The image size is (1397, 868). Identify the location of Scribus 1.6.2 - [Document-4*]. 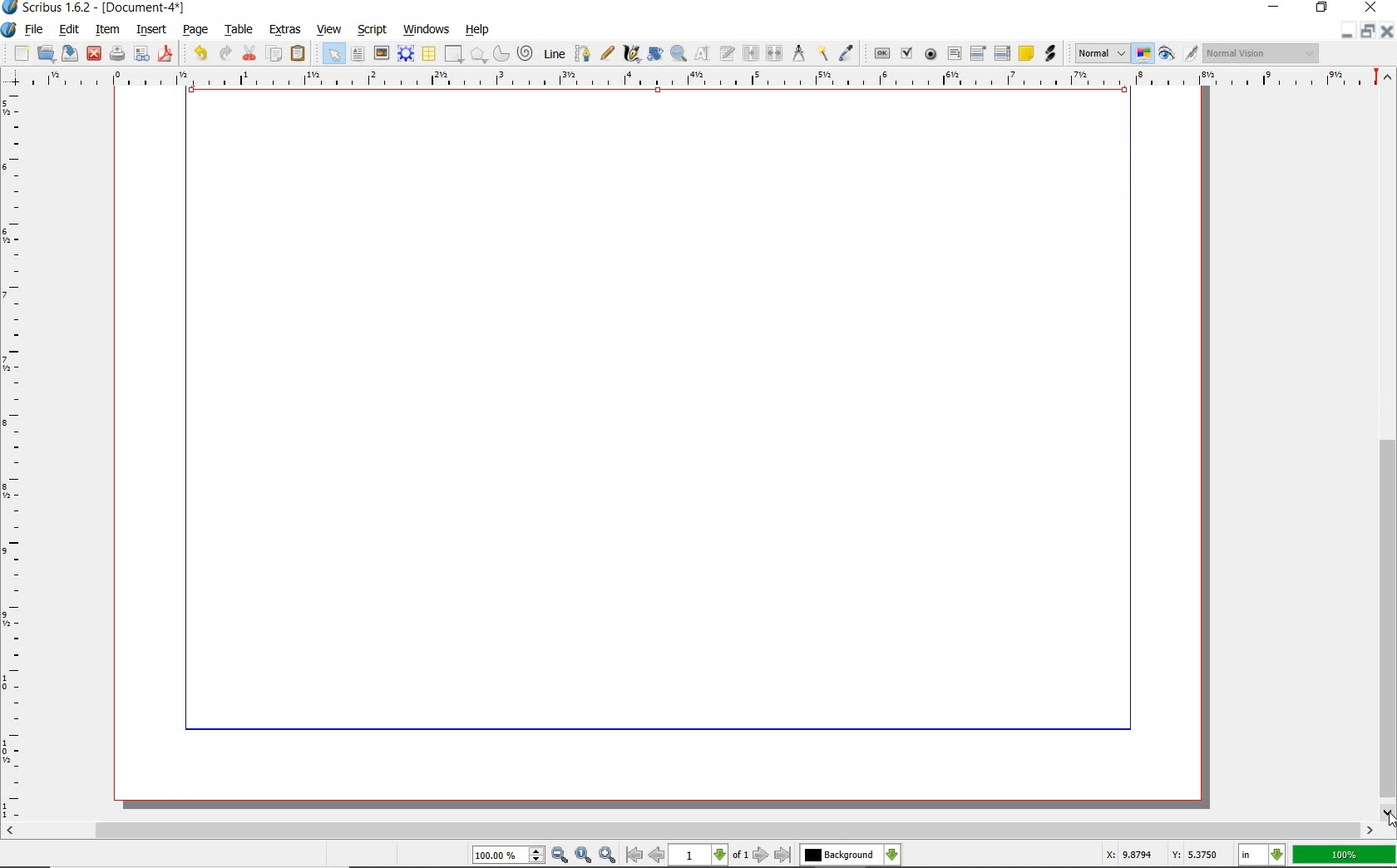
(96, 8).